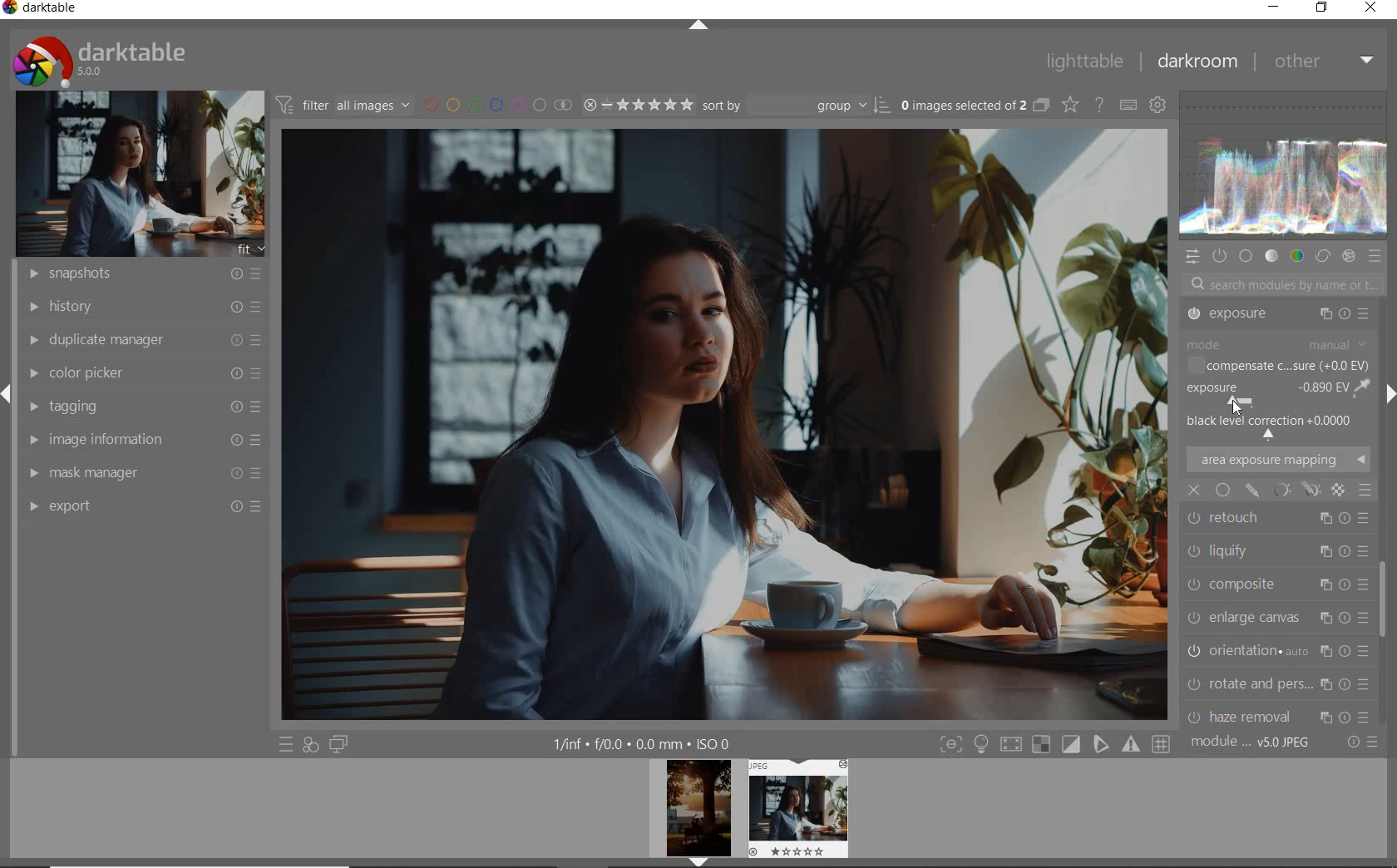 The height and width of the screenshot is (868, 1397). I want to click on COLOR PICKER, so click(146, 370).